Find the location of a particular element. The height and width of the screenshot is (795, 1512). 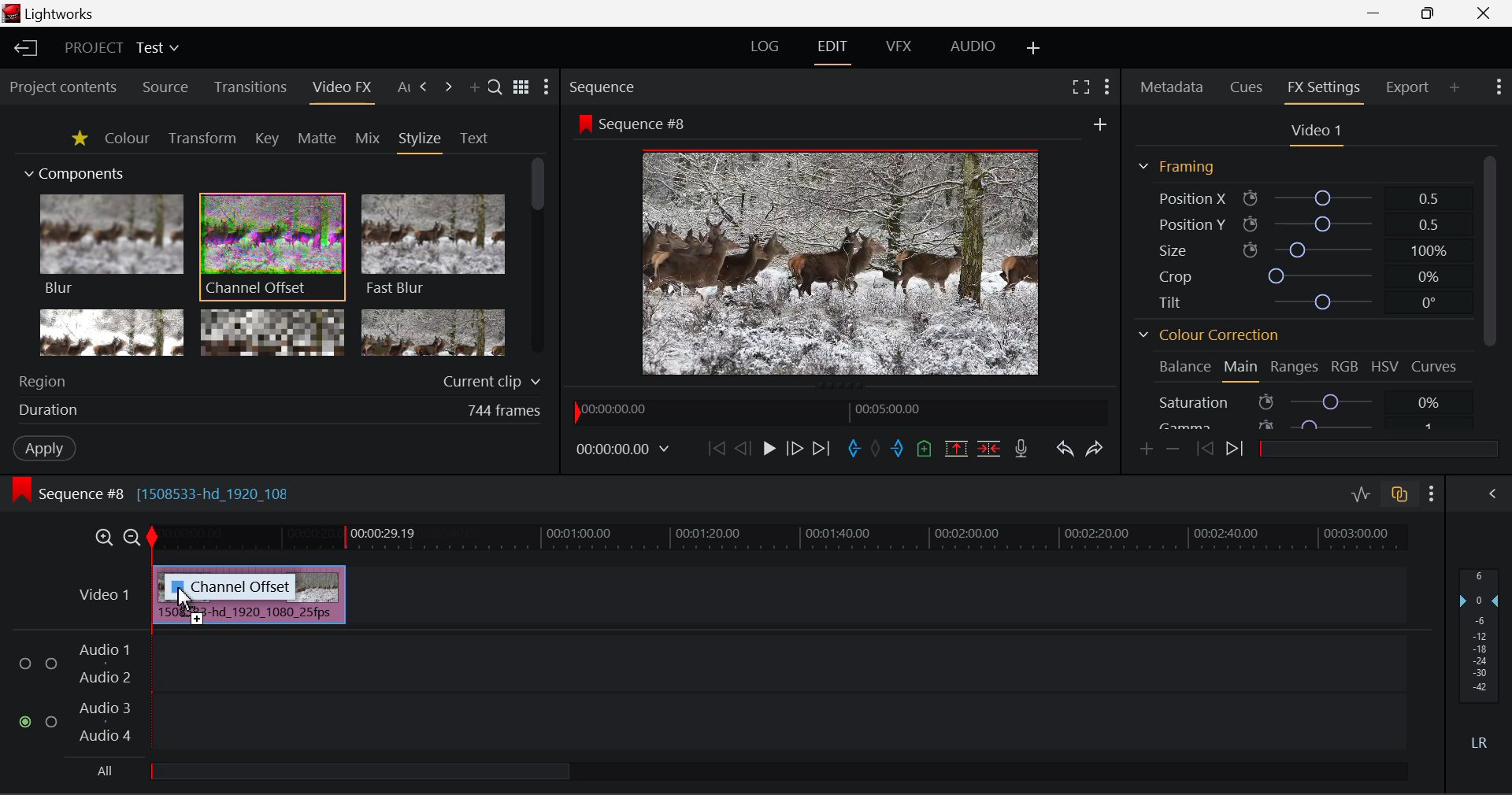

Restore Down is located at coordinates (1379, 14).